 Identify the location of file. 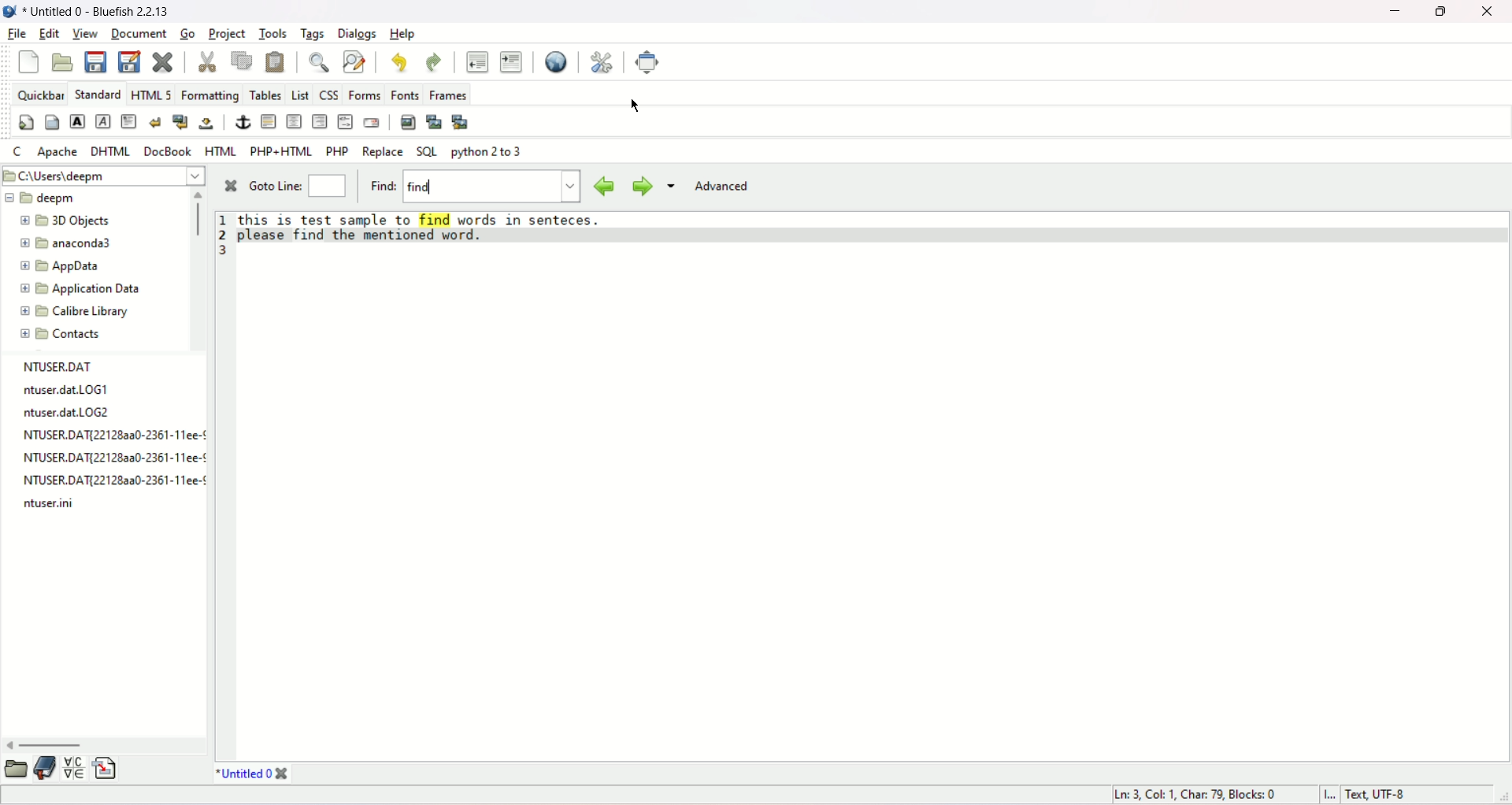
(17, 32).